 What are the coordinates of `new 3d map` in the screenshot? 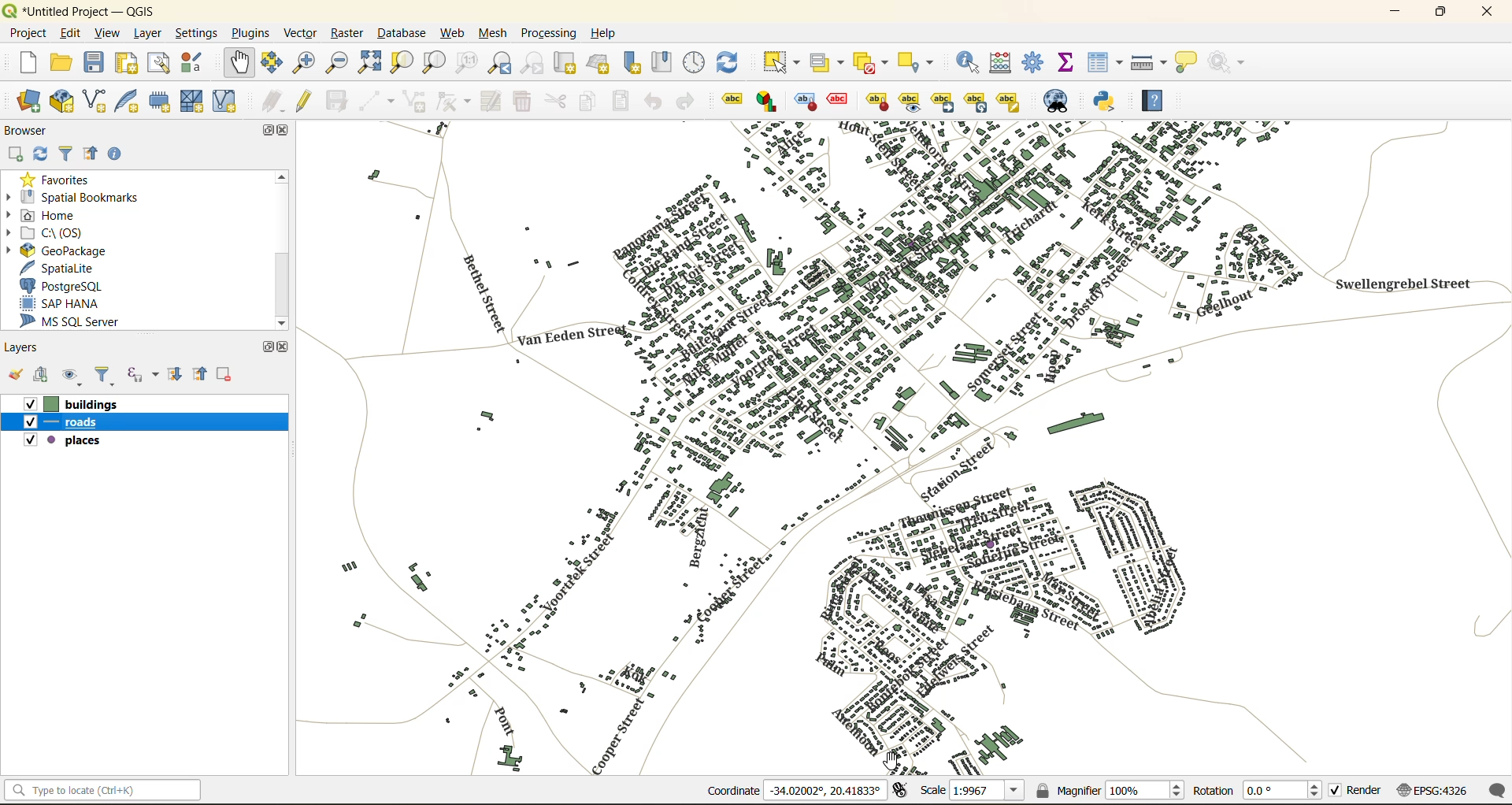 It's located at (596, 63).